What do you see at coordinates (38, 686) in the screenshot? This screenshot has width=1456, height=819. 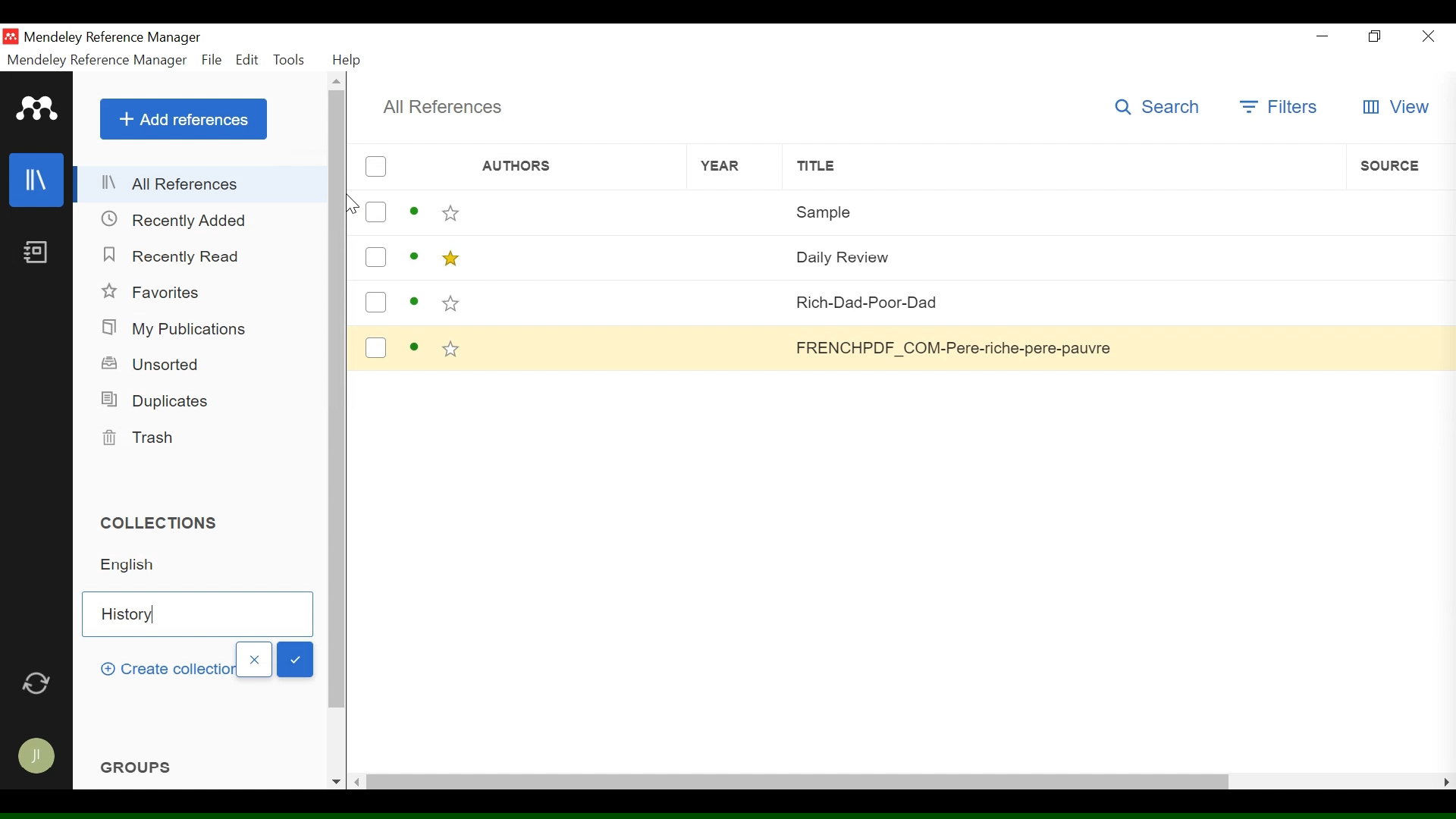 I see `Sync` at bounding box center [38, 686].